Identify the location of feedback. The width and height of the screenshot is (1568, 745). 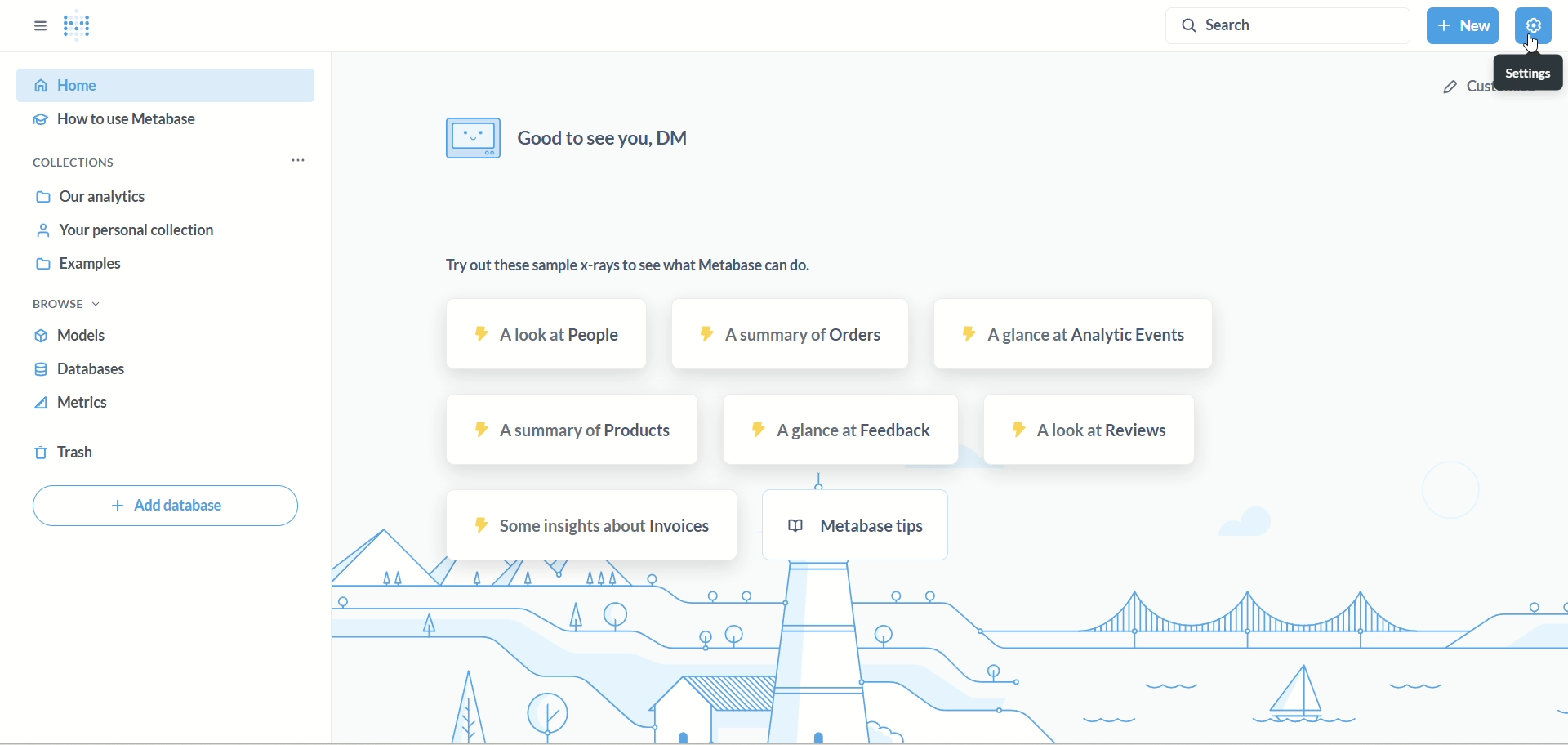
(845, 431).